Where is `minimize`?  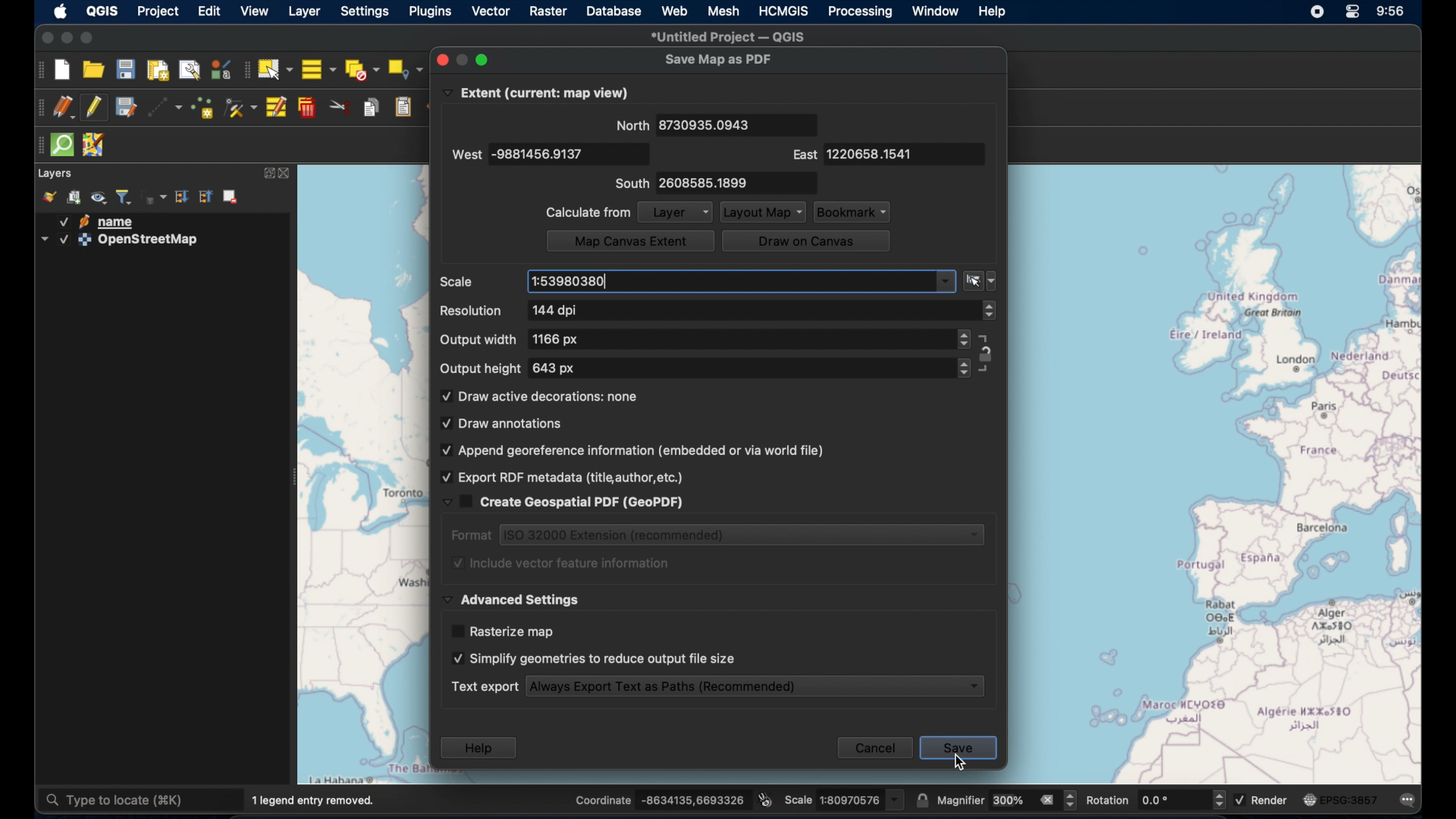 minimize is located at coordinates (67, 39).